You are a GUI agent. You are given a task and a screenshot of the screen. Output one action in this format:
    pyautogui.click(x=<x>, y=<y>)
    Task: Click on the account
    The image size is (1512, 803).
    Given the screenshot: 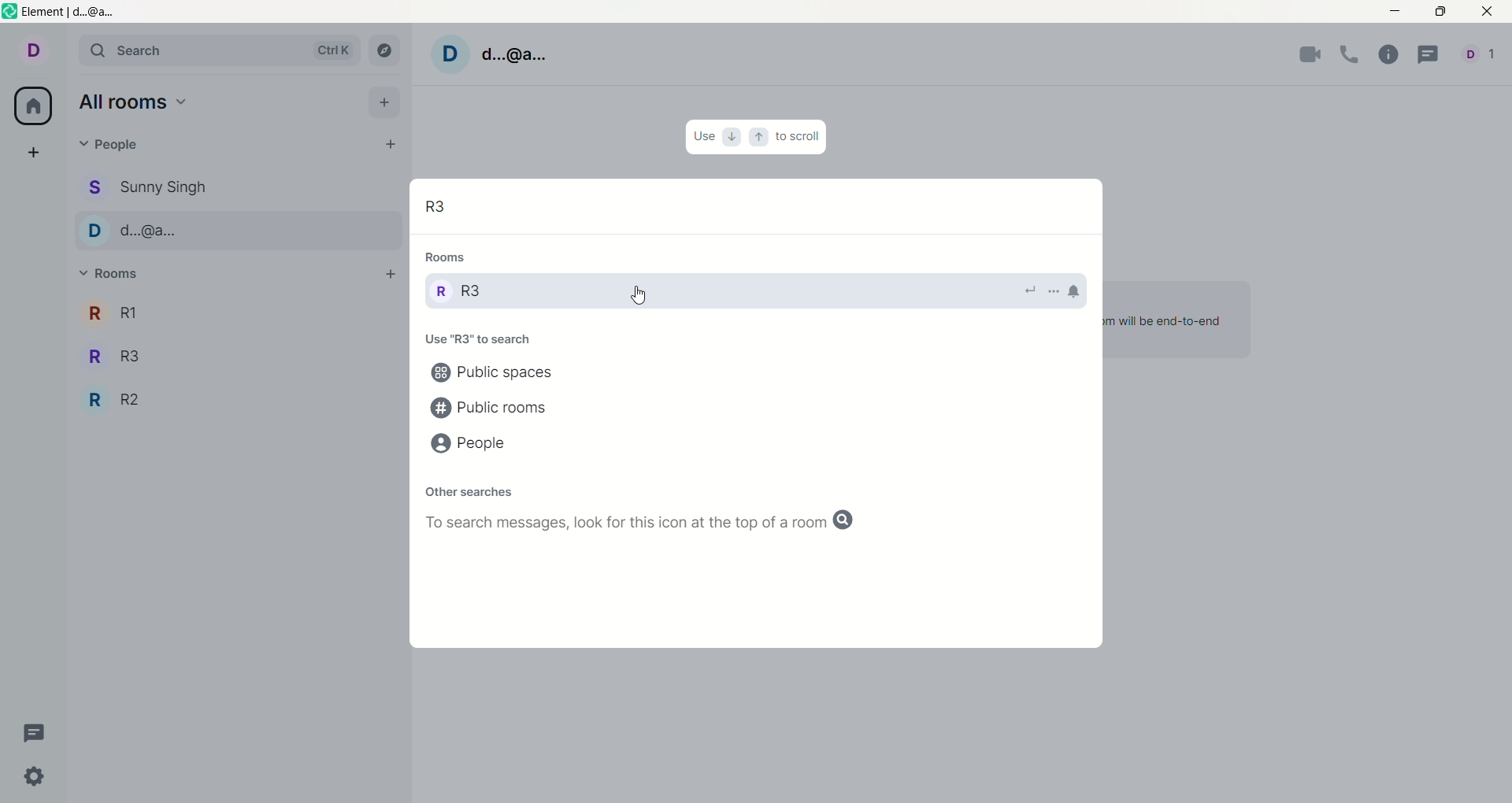 What is the action you would take?
    pyautogui.click(x=1478, y=54)
    